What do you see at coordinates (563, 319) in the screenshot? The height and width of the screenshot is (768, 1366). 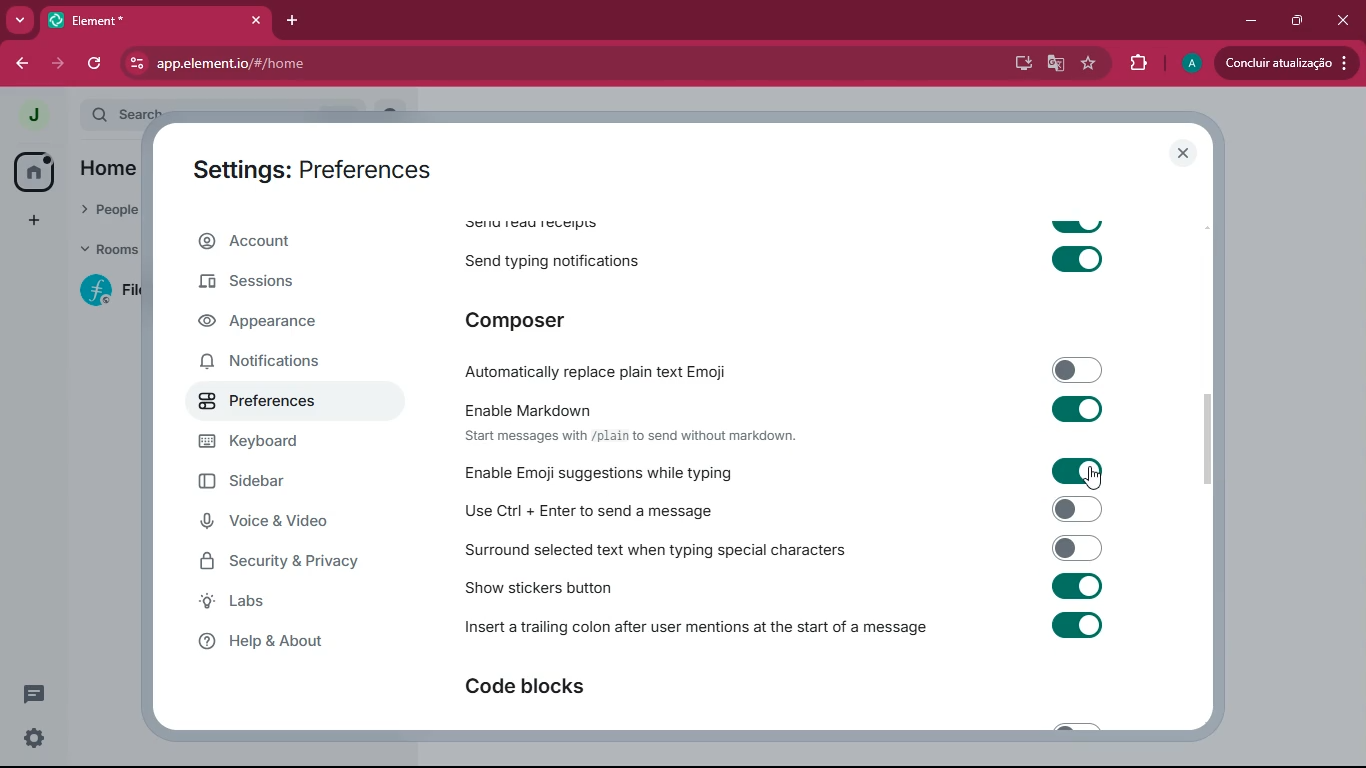 I see `composer` at bounding box center [563, 319].